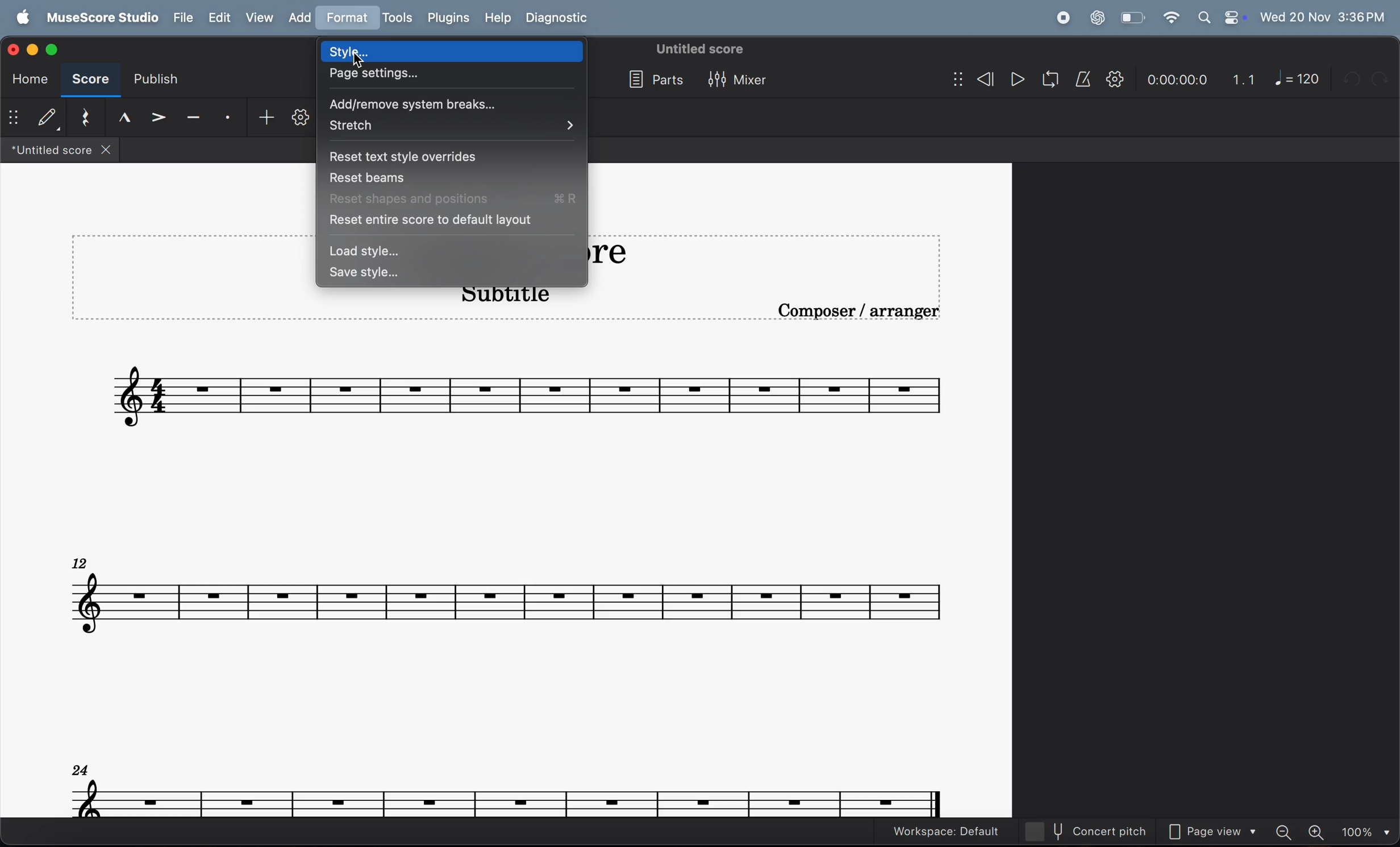  Describe the element at coordinates (862, 314) in the screenshot. I see `composer` at that location.